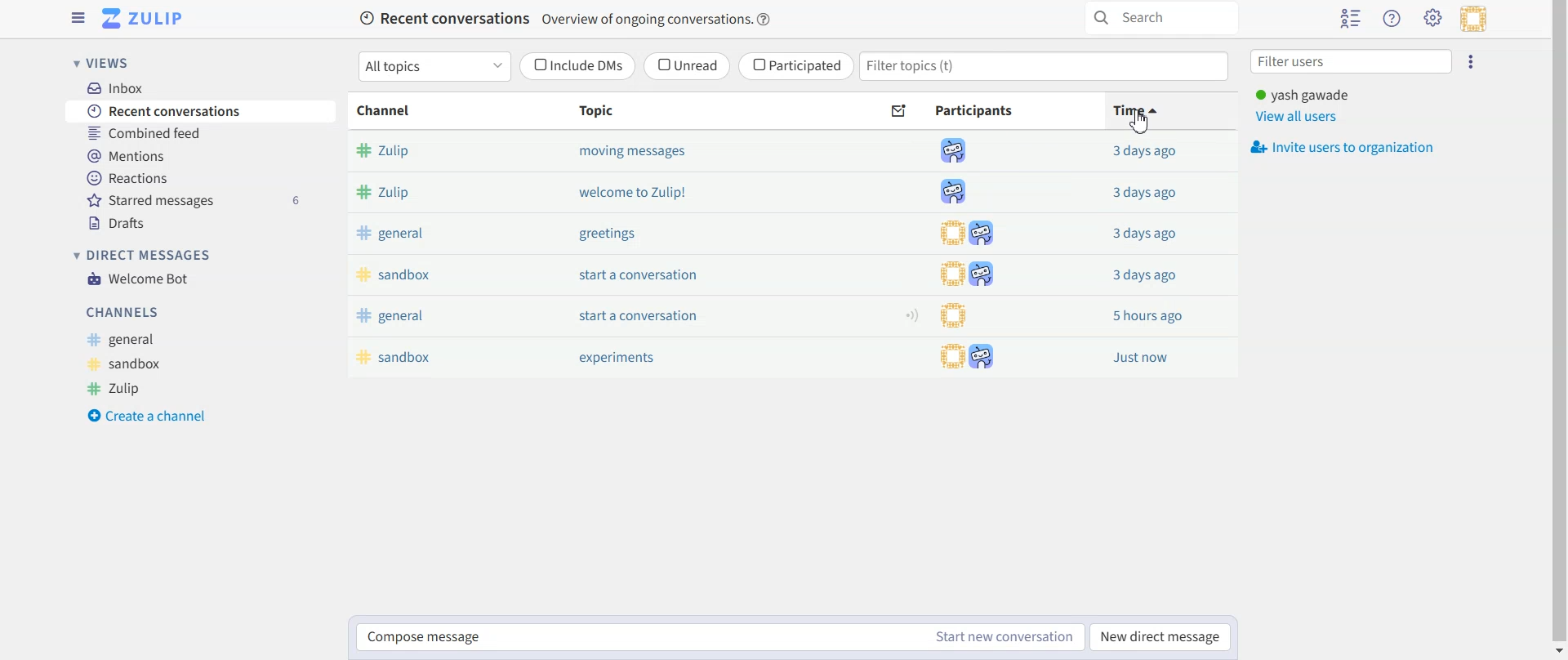 The width and height of the screenshot is (1568, 660). Describe the element at coordinates (538, 194) in the screenshot. I see `Zulip welcome to Zulip!` at that location.